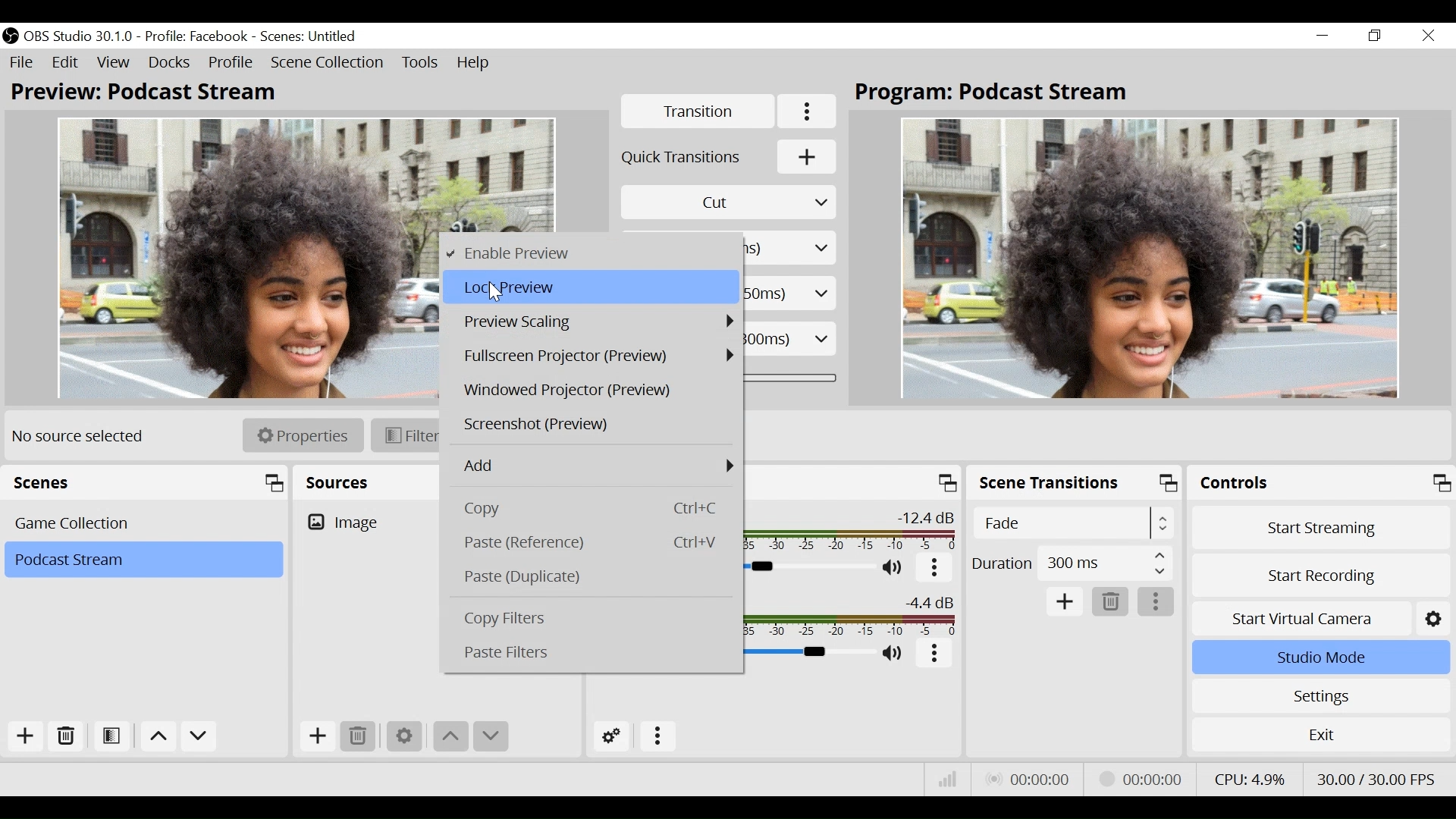 This screenshot has width=1456, height=819. I want to click on Frame Per Second, so click(1375, 777).